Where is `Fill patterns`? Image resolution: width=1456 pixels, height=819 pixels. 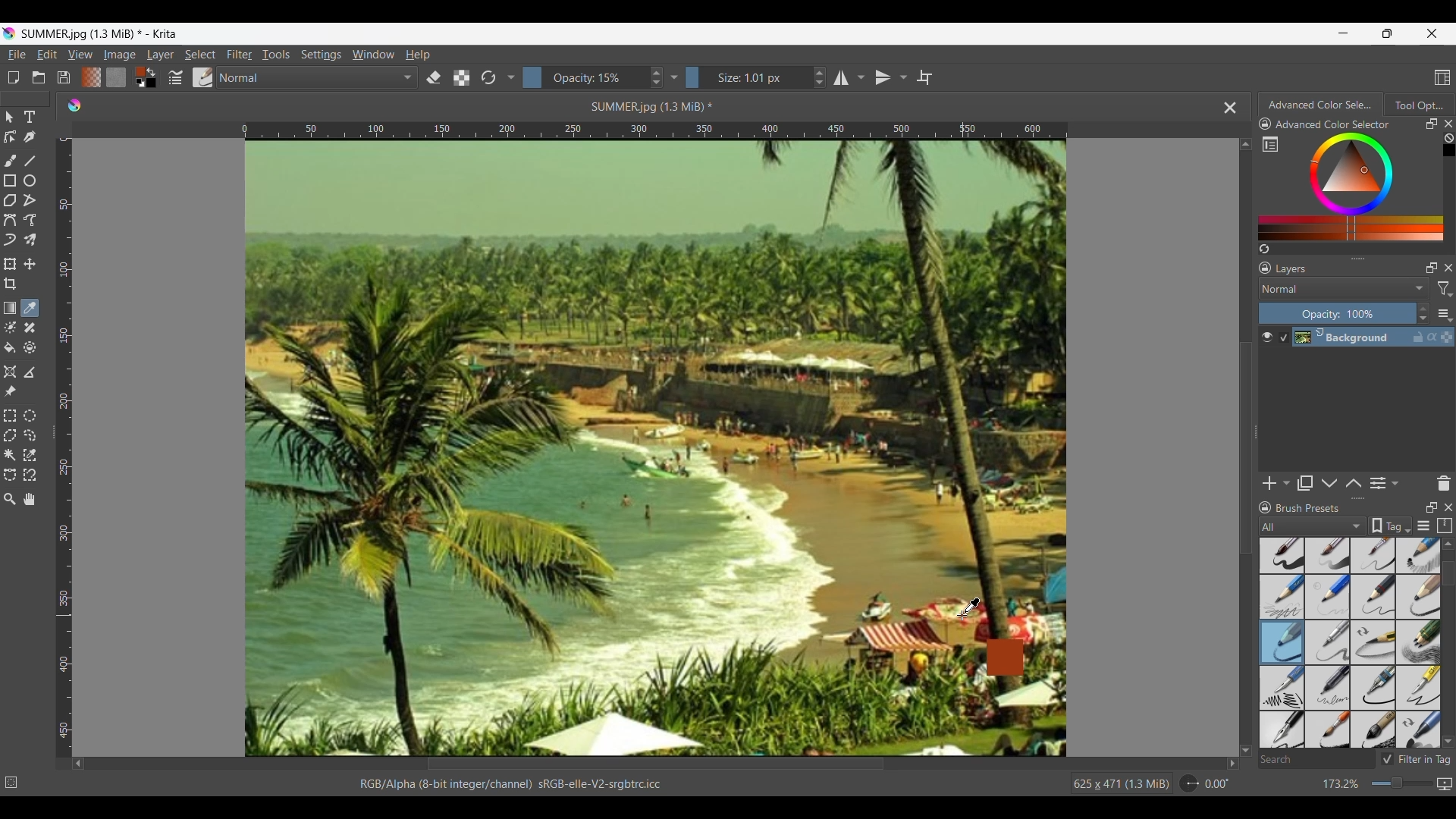
Fill patterns is located at coordinates (116, 77).